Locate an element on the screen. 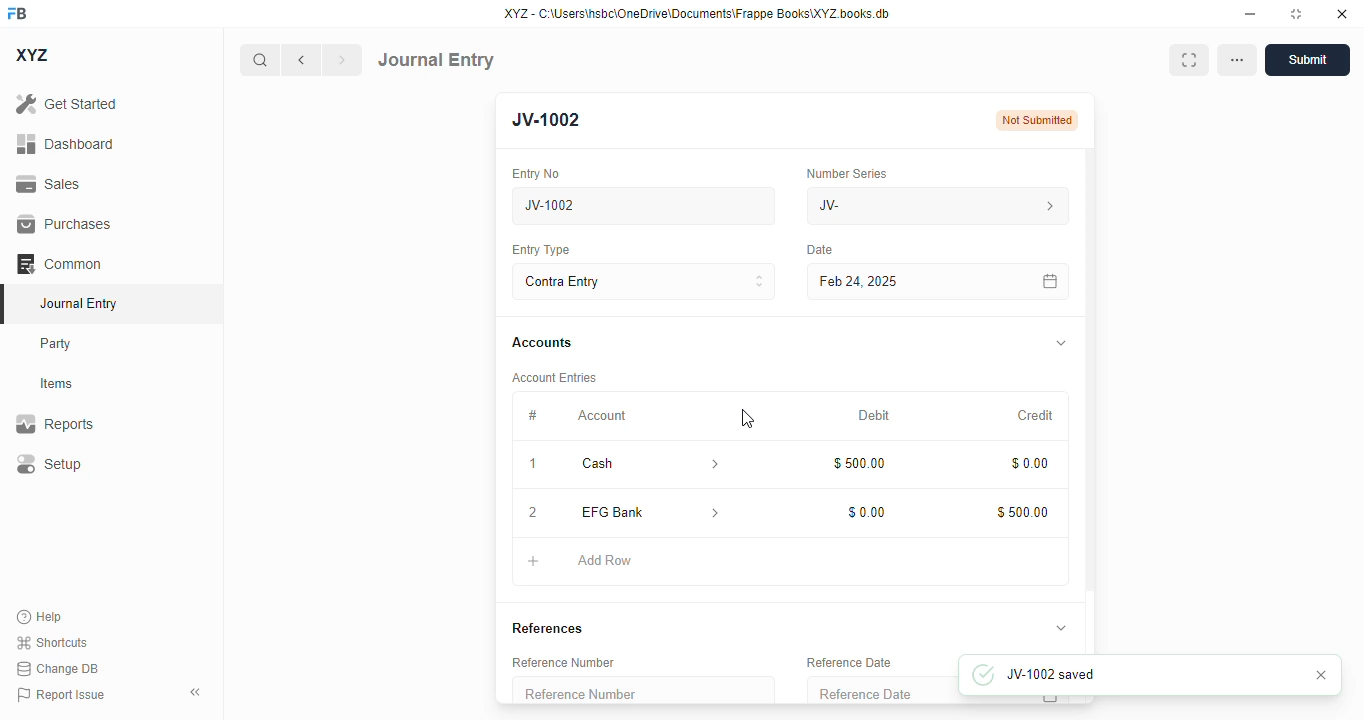  previous is located at coordinates (301, 60).